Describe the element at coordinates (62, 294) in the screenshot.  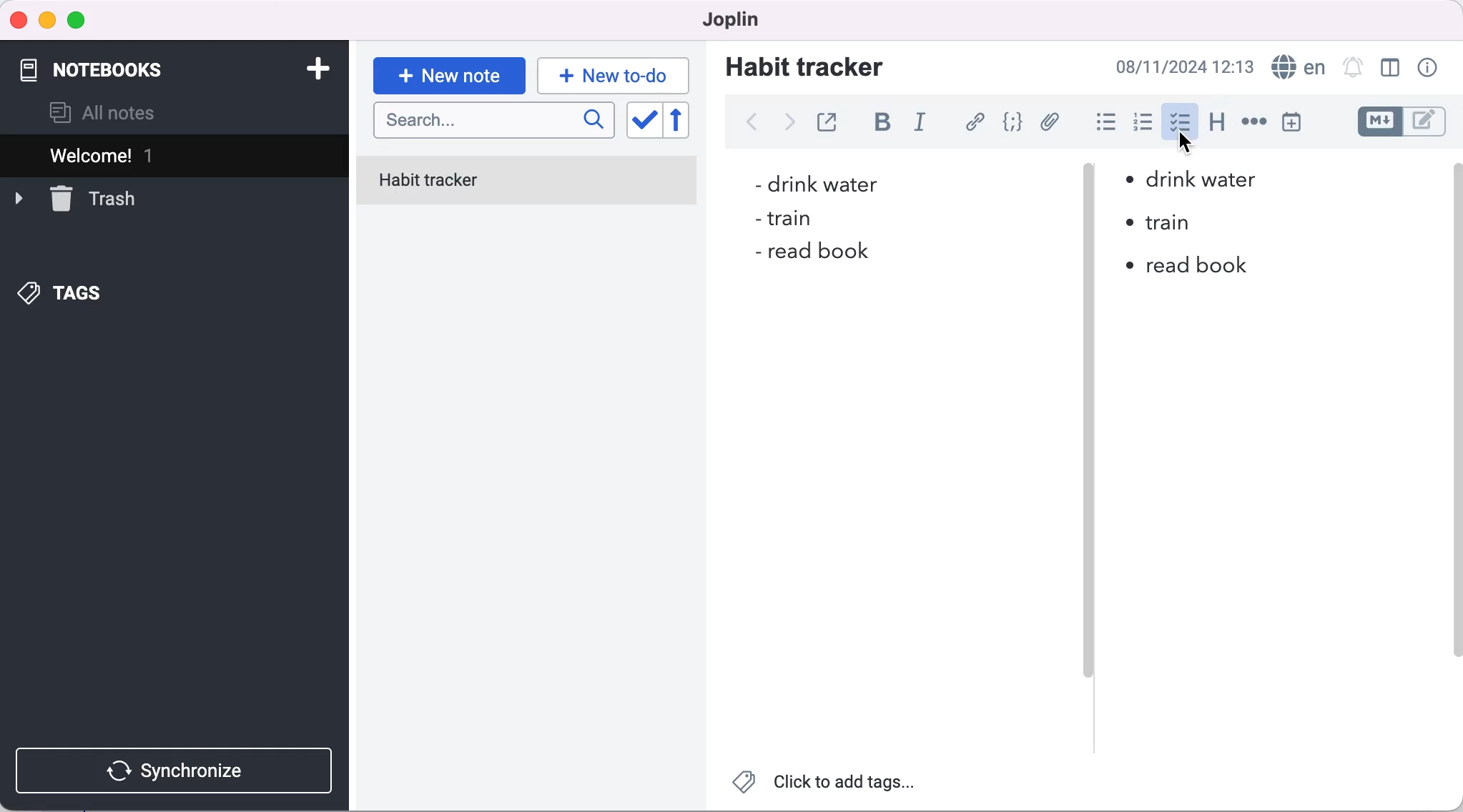
I see `tags` at that location.